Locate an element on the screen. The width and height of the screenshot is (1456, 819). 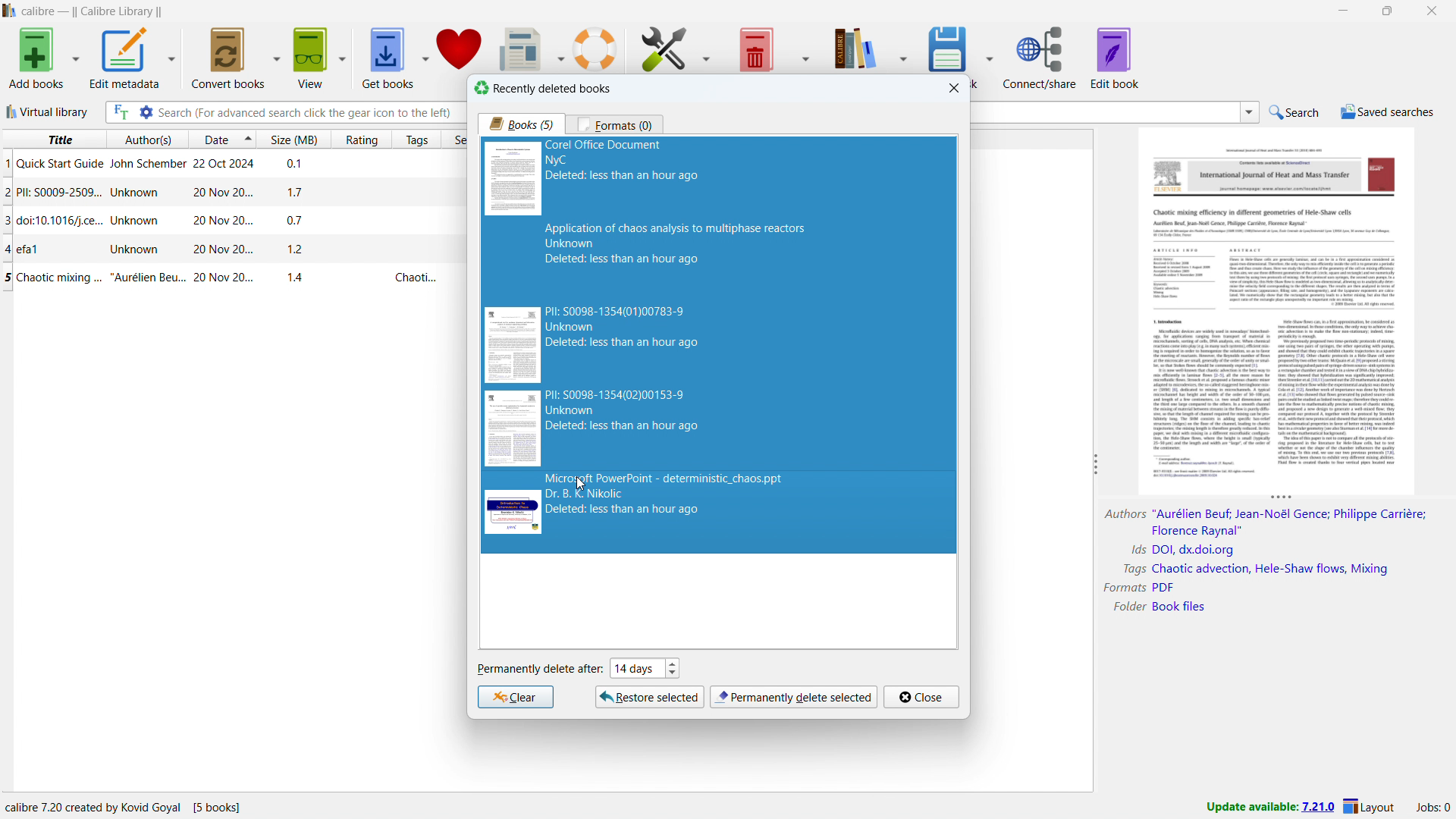
program information is located at coordinates (128, 806).